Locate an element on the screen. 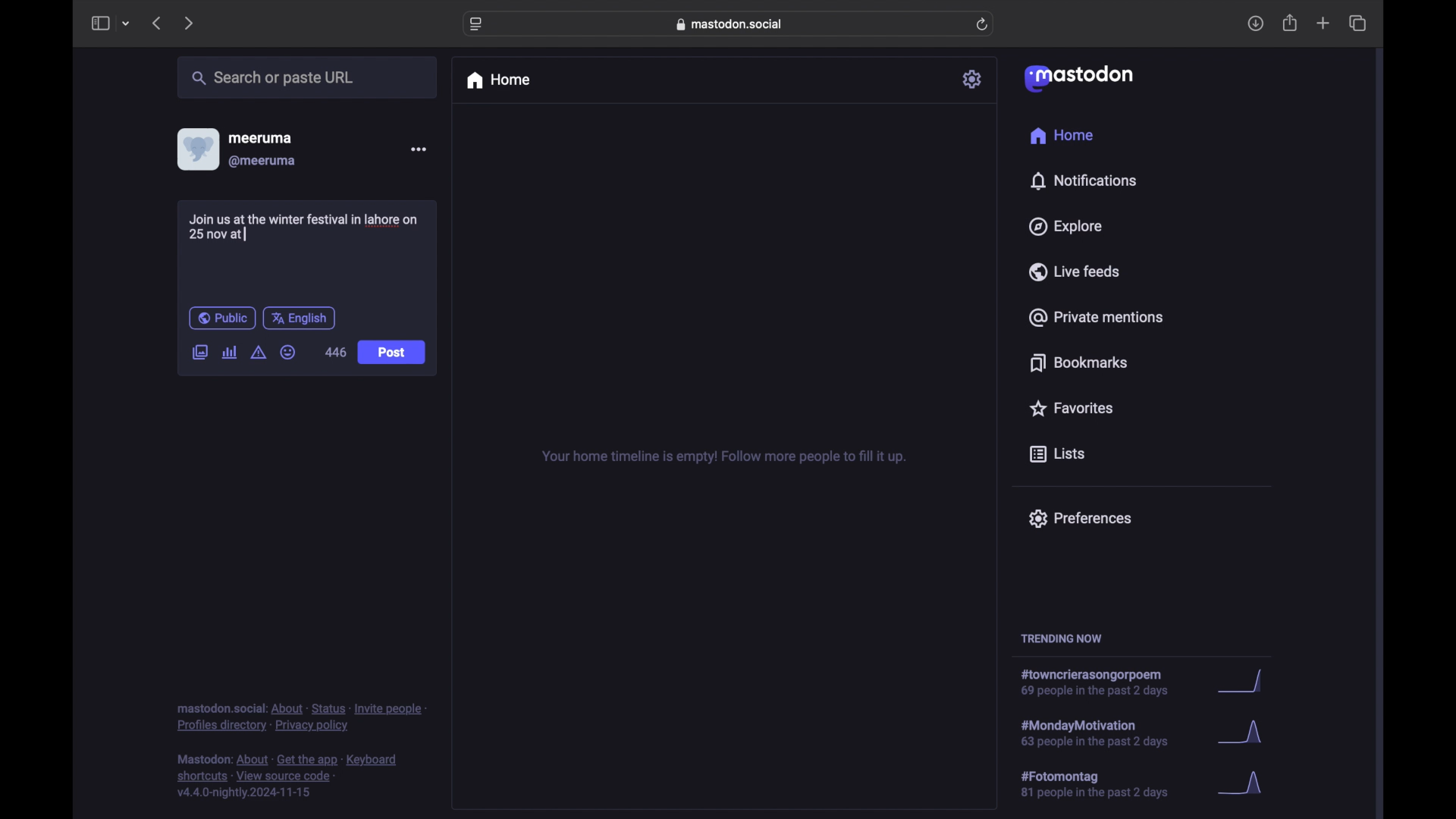 This screenshot has width=1456, height=819. Post is located at coordinates (393, 353).